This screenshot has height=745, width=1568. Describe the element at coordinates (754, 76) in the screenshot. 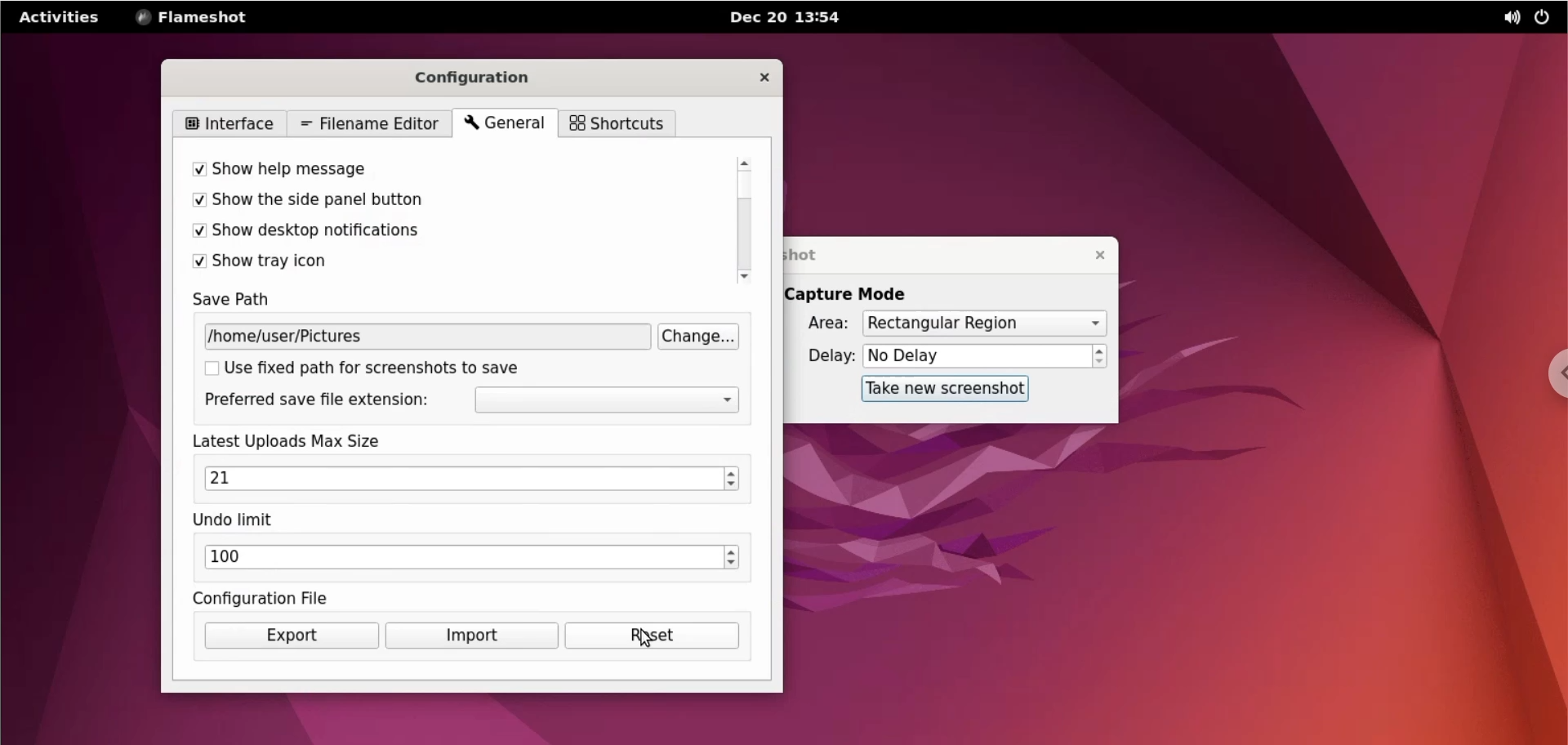

I see `close` at that location.